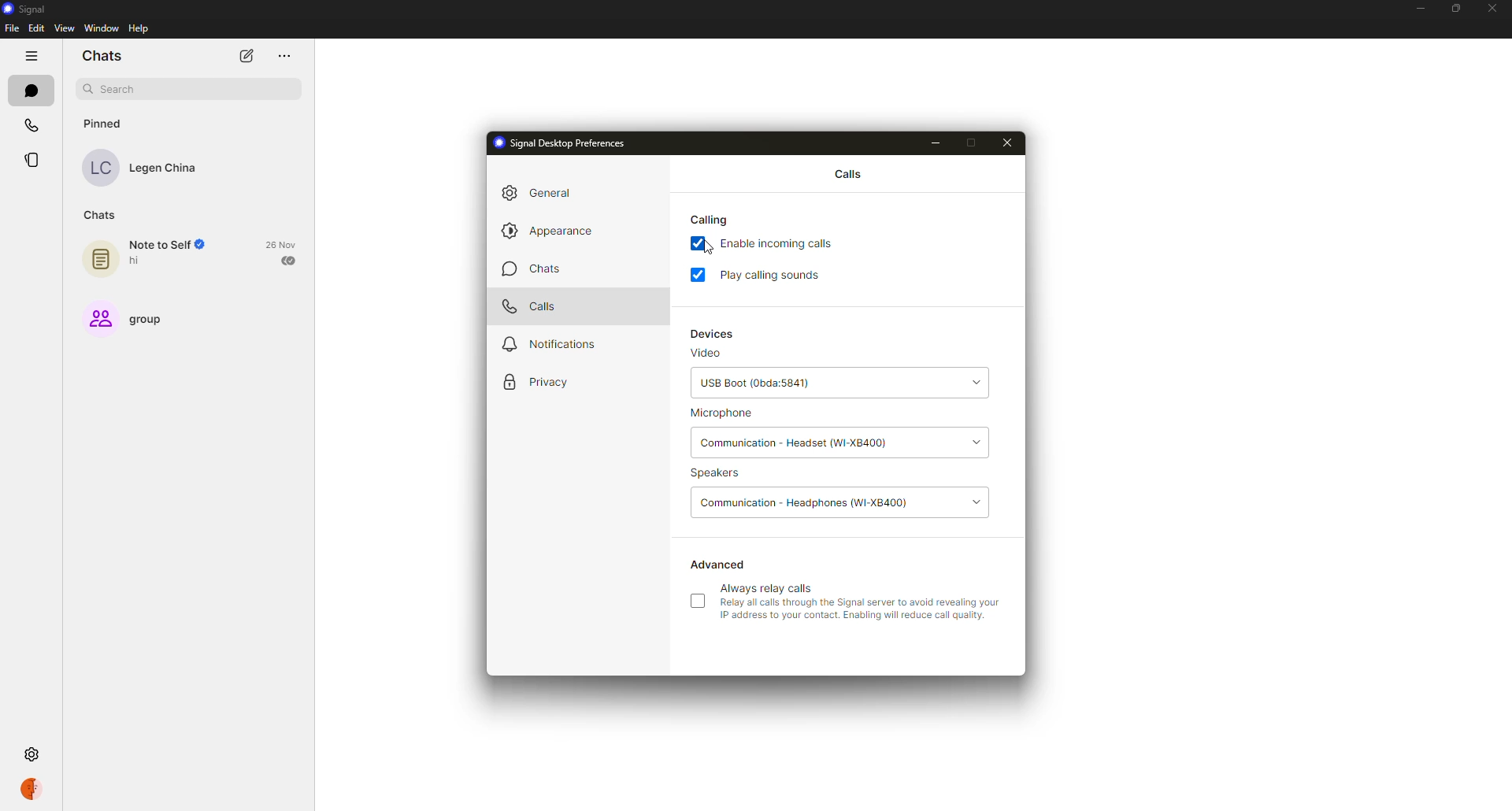 This screenshot has height=811, width=1512. I want to click on drop, so click(980, 442).